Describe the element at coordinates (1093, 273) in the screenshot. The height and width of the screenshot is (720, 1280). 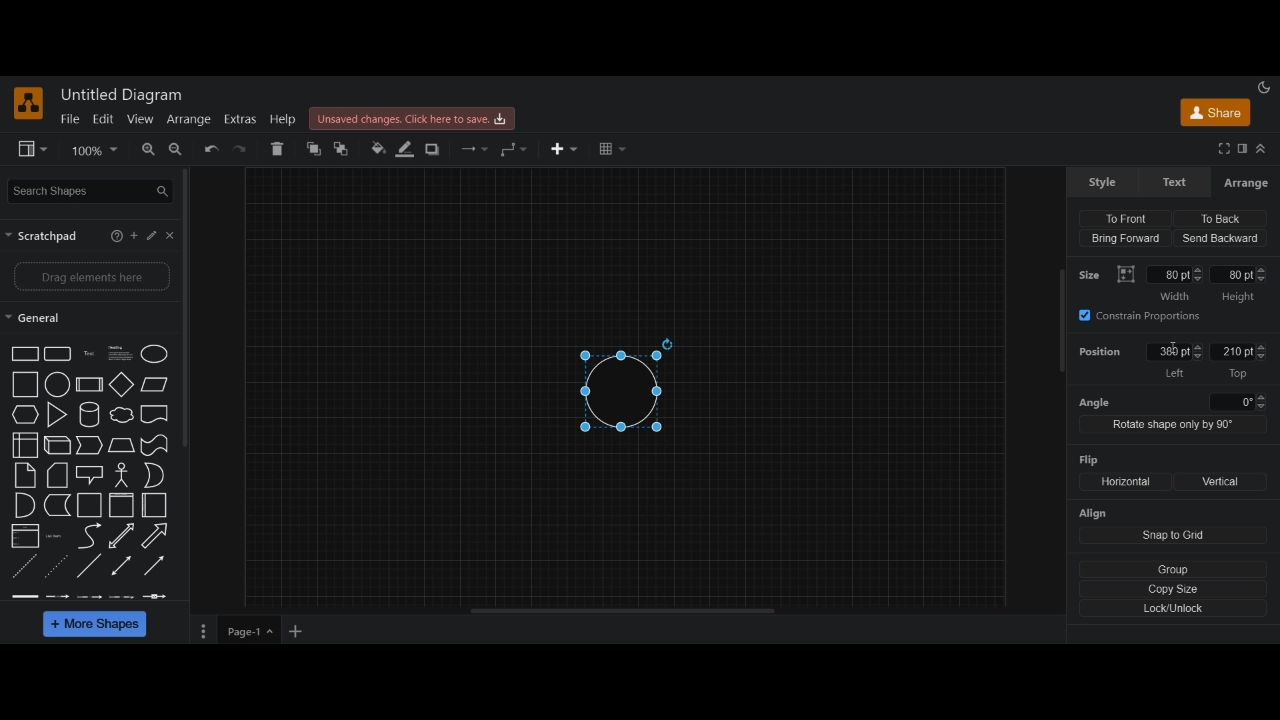
I see `size` at that location.